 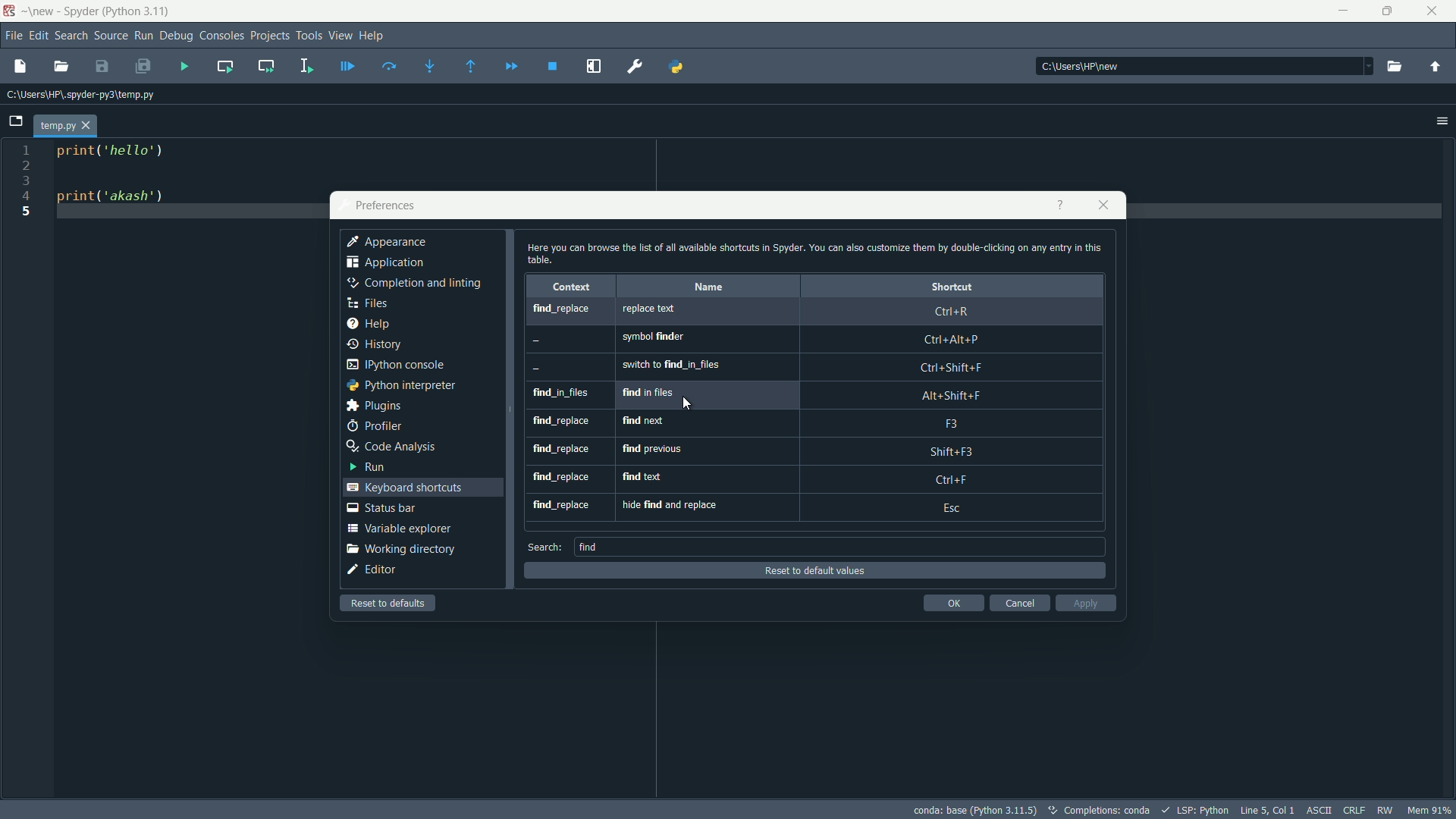 I want to click on cursor, so click(x=688, y=403).